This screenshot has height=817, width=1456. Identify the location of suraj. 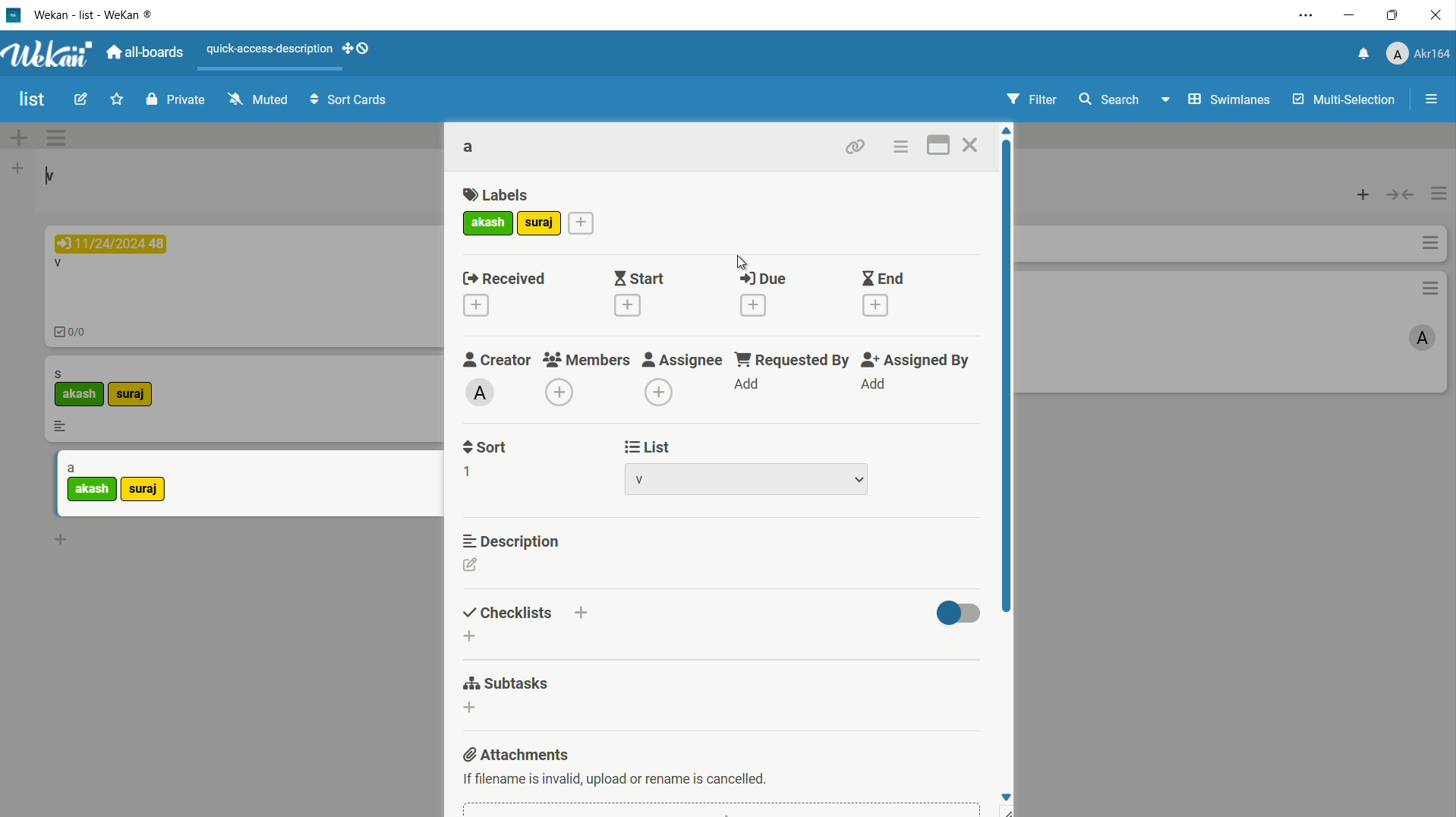
(142, 489).